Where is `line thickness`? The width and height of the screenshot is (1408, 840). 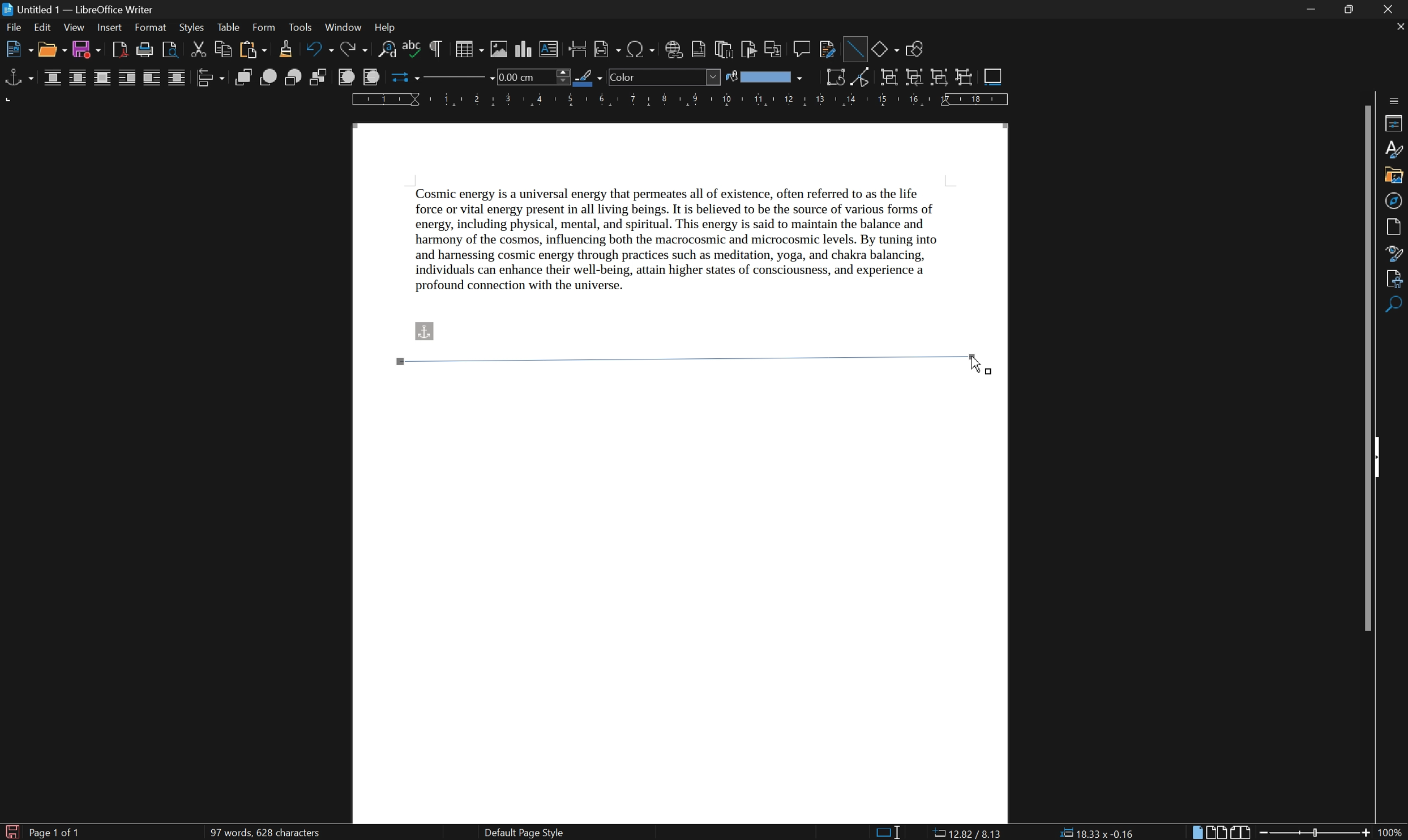 line thickness is located at coordinates (532, 76).